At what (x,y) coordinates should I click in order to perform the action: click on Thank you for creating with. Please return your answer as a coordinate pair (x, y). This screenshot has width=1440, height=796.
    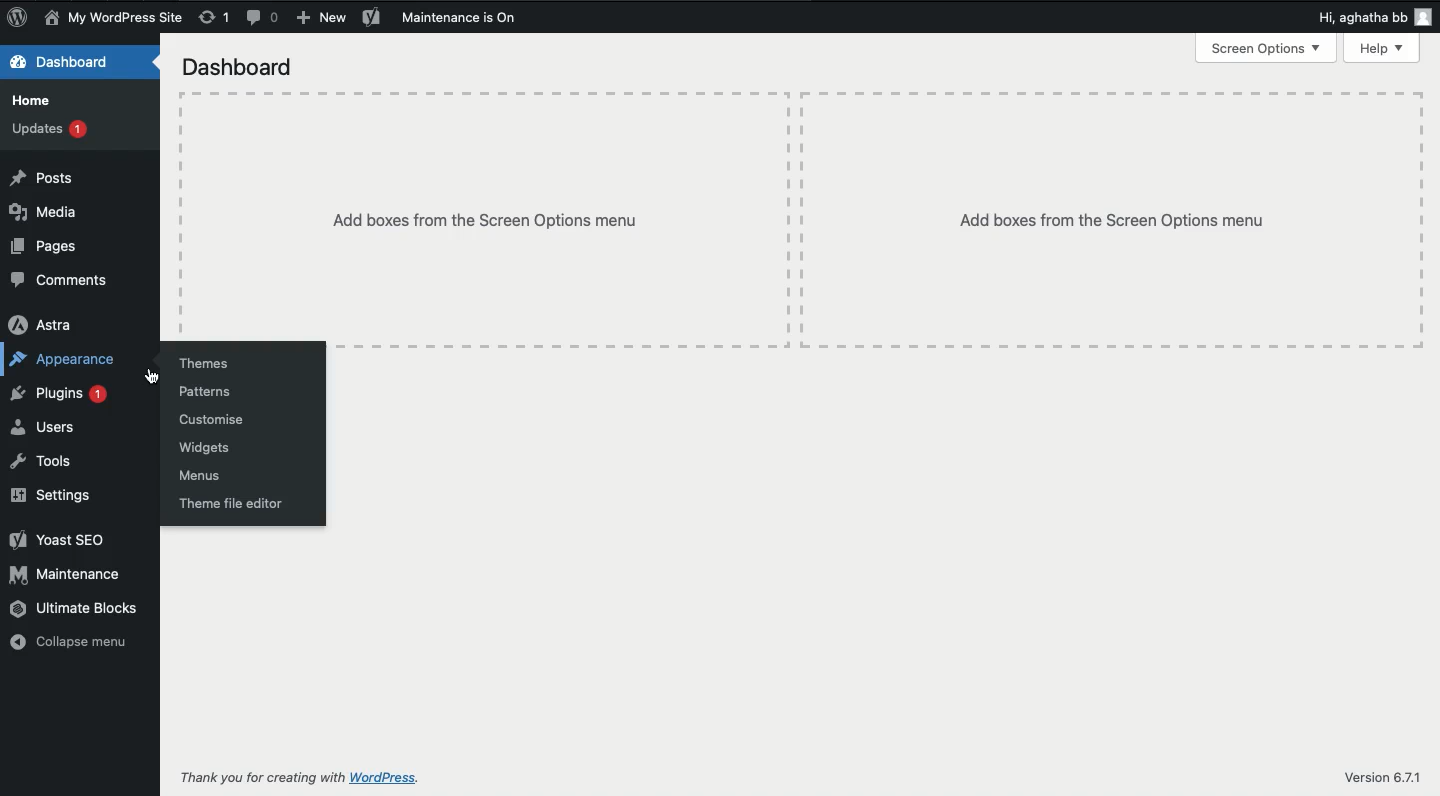
    Looking at the image, I should click on (262, 777).